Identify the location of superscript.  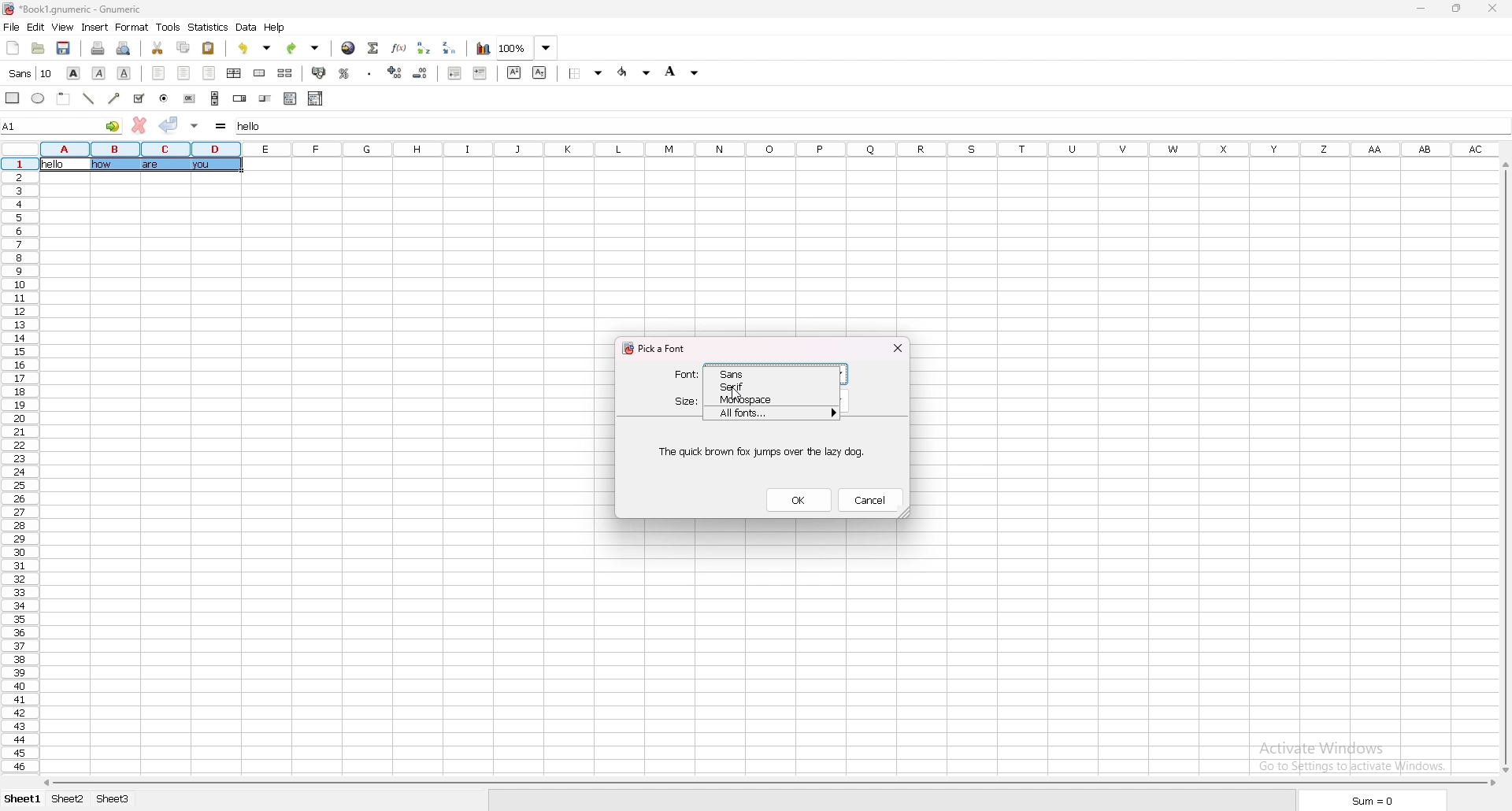
(513, 72).